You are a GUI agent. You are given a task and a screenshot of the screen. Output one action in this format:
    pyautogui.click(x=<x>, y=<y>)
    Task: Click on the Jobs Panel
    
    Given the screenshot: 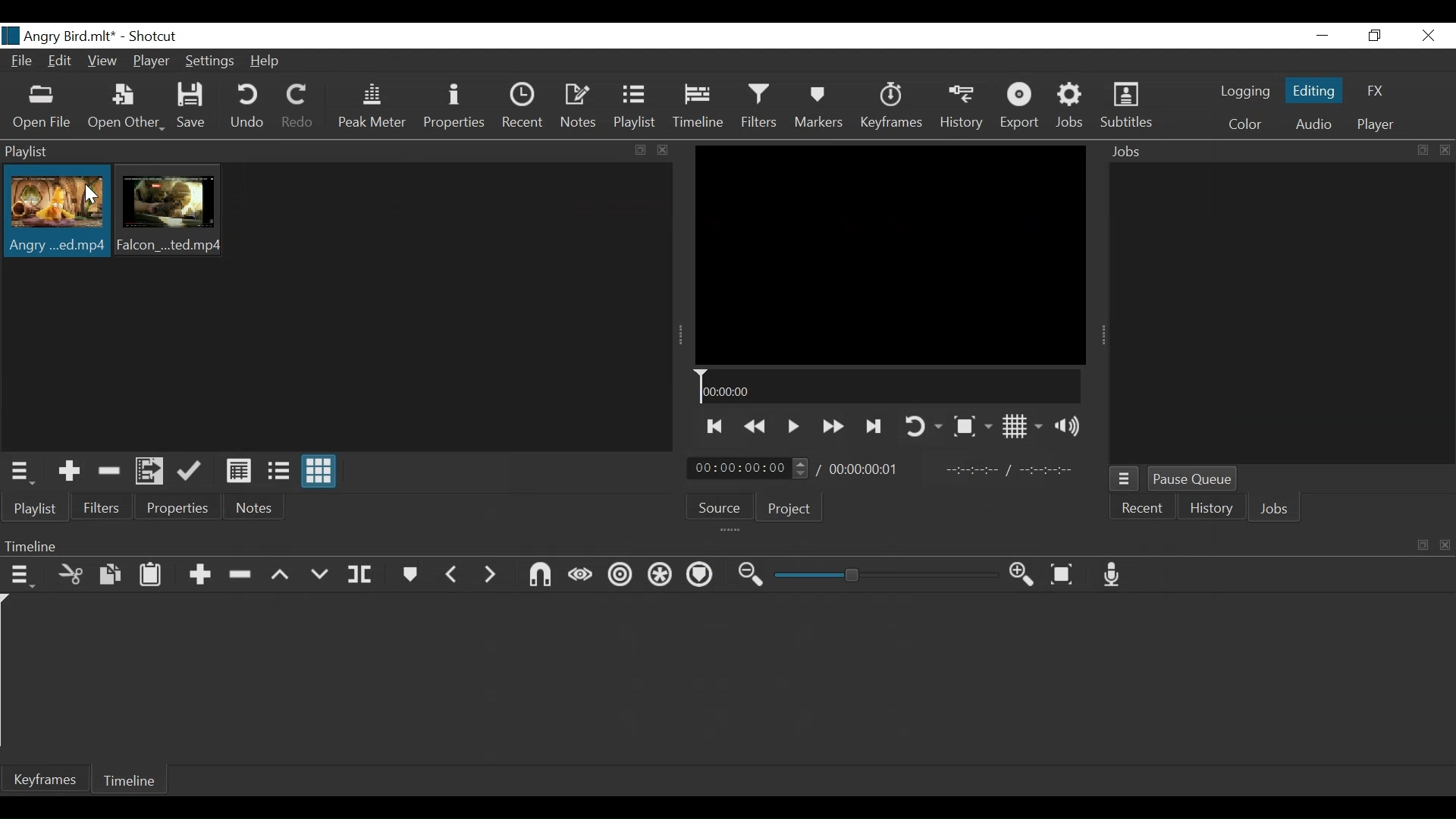 What is the action you would take?
    pyautogui.click(x=1275, y=152)
    